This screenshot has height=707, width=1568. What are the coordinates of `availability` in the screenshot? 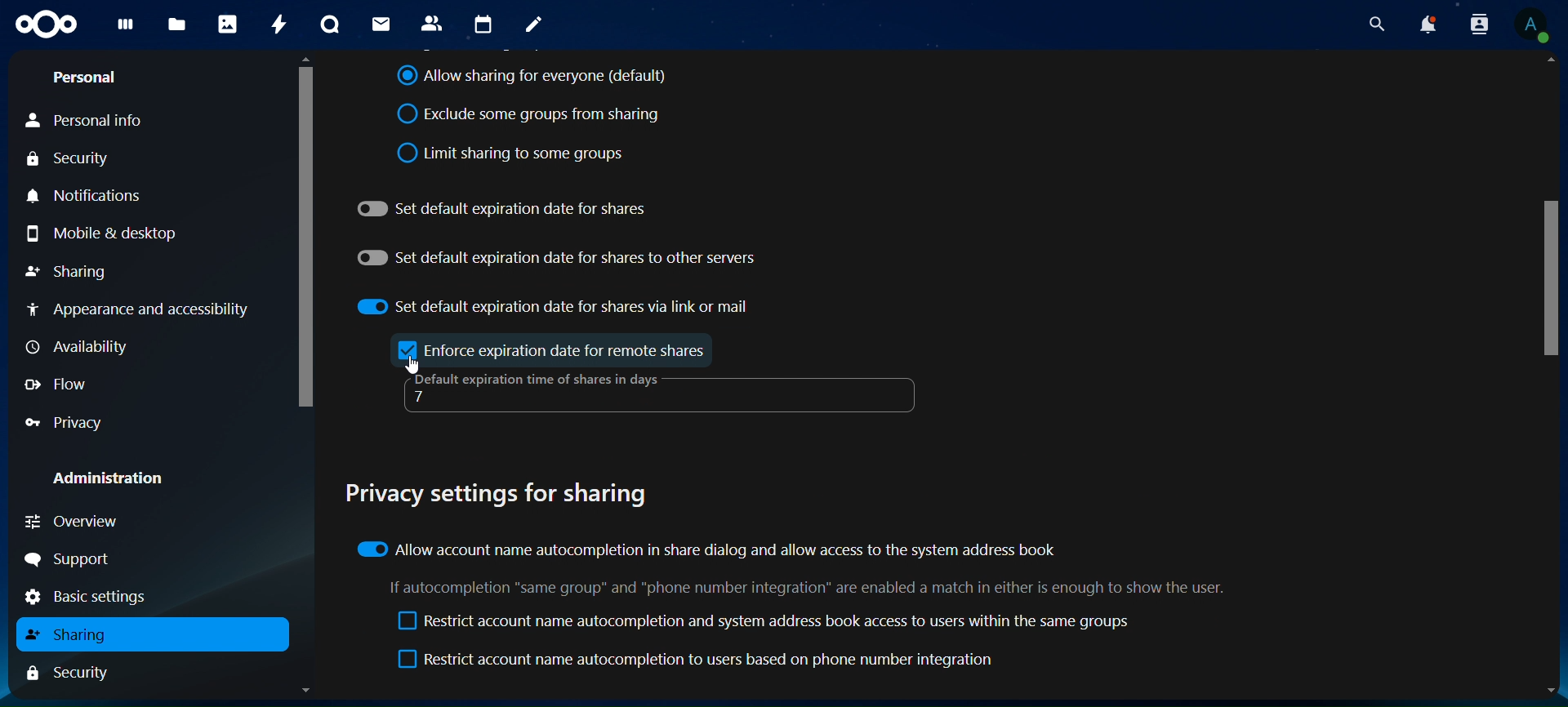 It's located at (75, 345).